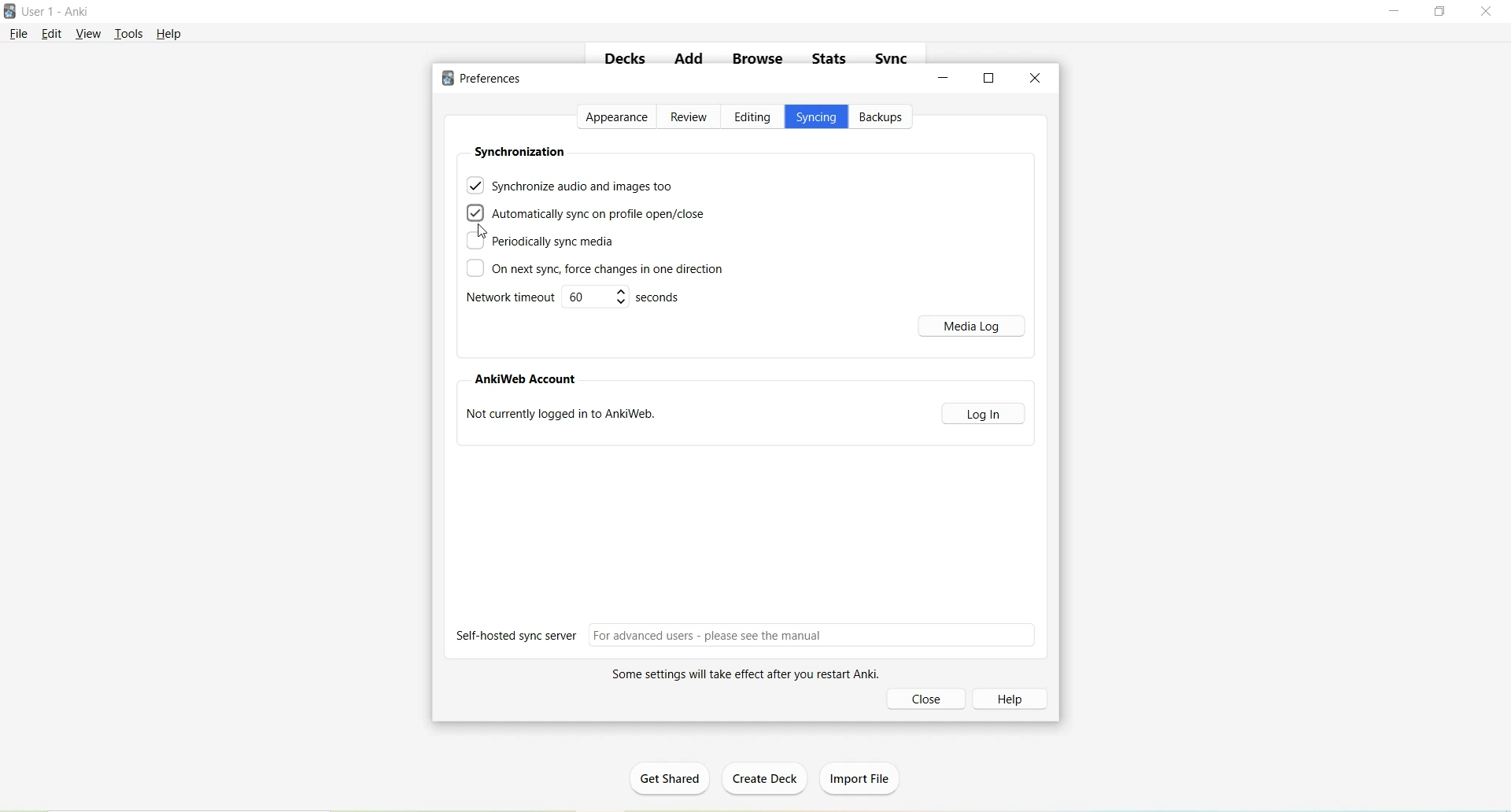  I want to click on AnkiWeb Account, so click(528, 380).